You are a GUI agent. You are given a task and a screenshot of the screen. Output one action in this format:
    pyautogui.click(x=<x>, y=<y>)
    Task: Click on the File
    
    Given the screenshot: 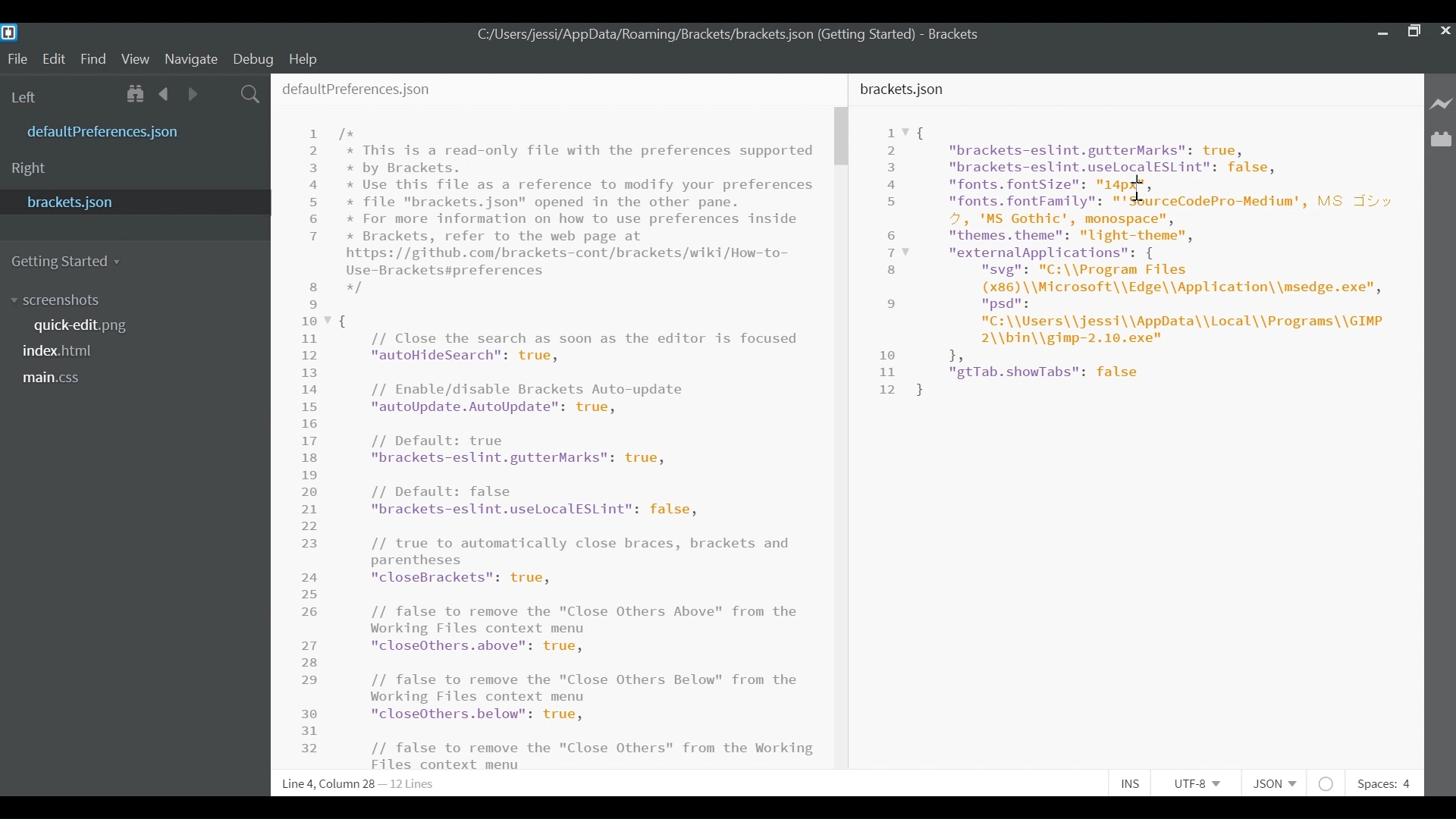 What is the action you would take?
    pyautogui.click(x=17, y=59)
    